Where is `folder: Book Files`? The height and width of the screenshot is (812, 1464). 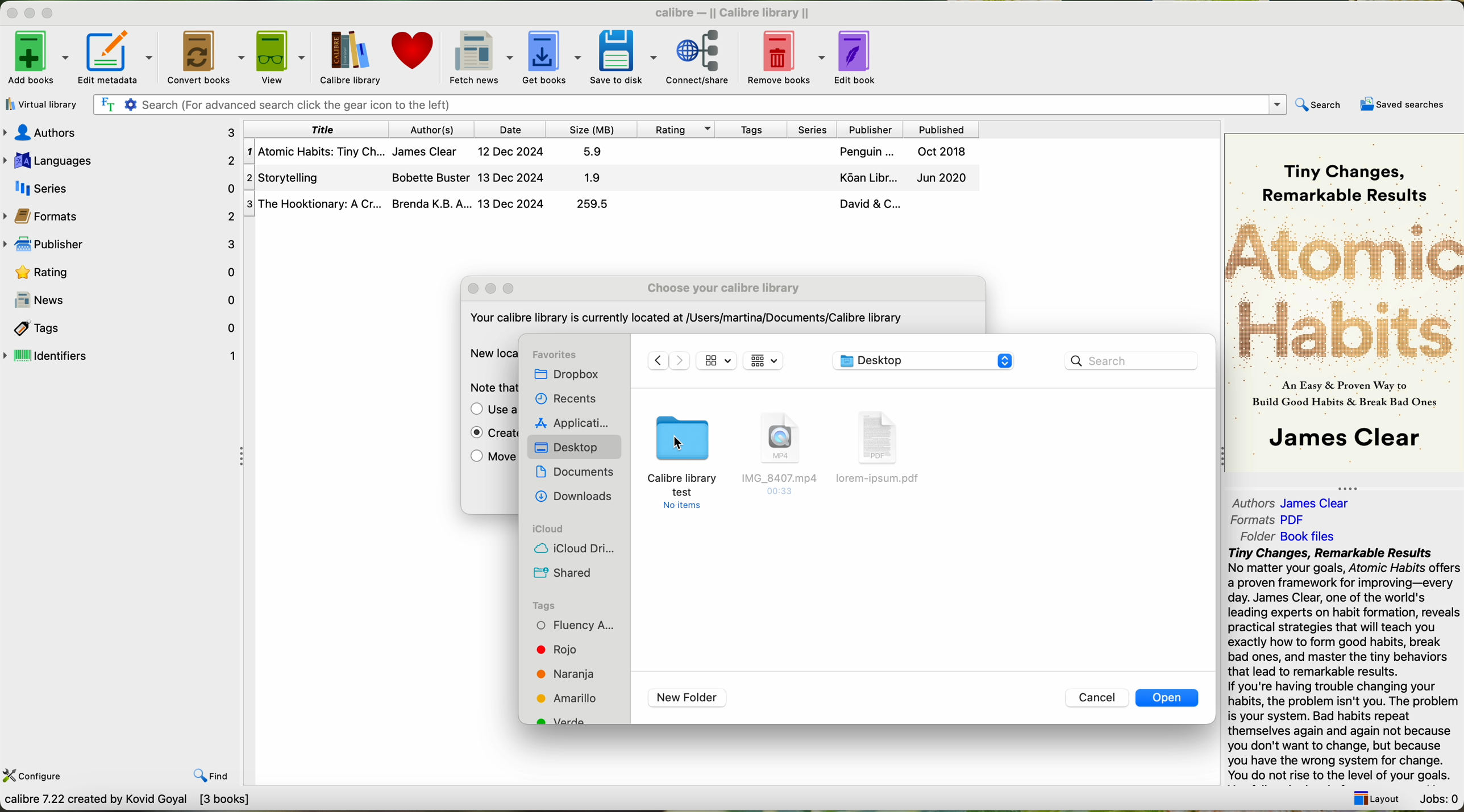 folder: Book Files is located at coordinates (1288, 536).